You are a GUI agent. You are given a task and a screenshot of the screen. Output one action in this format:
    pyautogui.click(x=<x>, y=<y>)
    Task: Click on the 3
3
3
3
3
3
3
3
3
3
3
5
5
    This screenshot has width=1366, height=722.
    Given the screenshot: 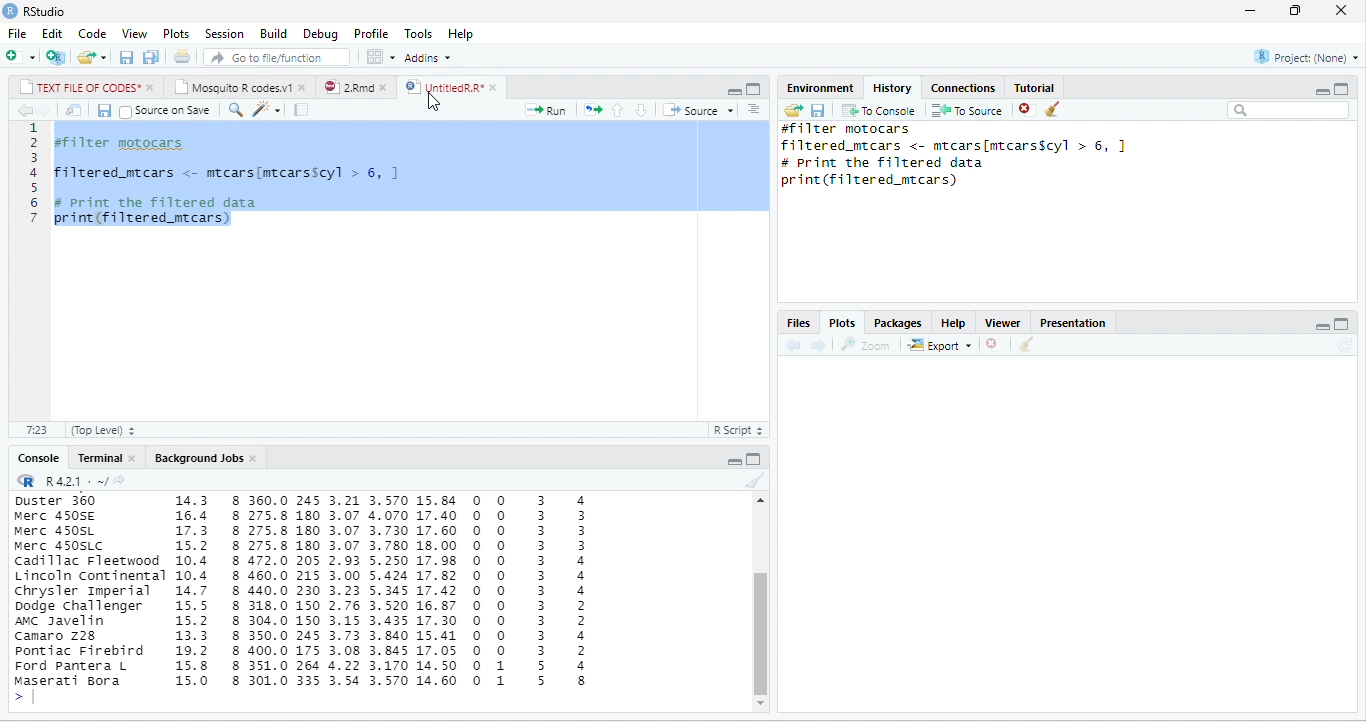 What is the action you would take?
    pyautogui.click(x=542, y=590)
    